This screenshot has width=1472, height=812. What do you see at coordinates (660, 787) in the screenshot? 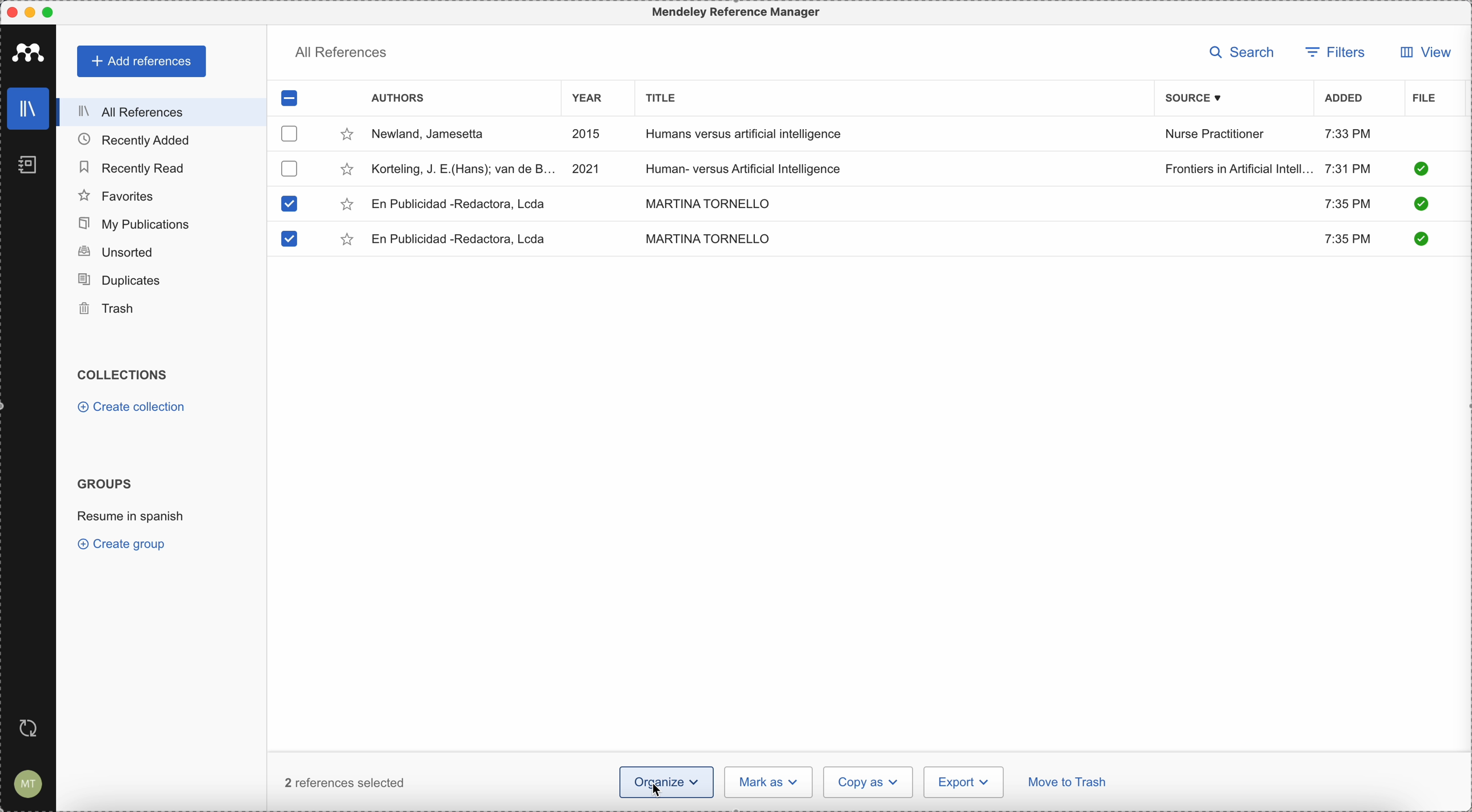
I see `cursor` at bounding box center [660, 787].